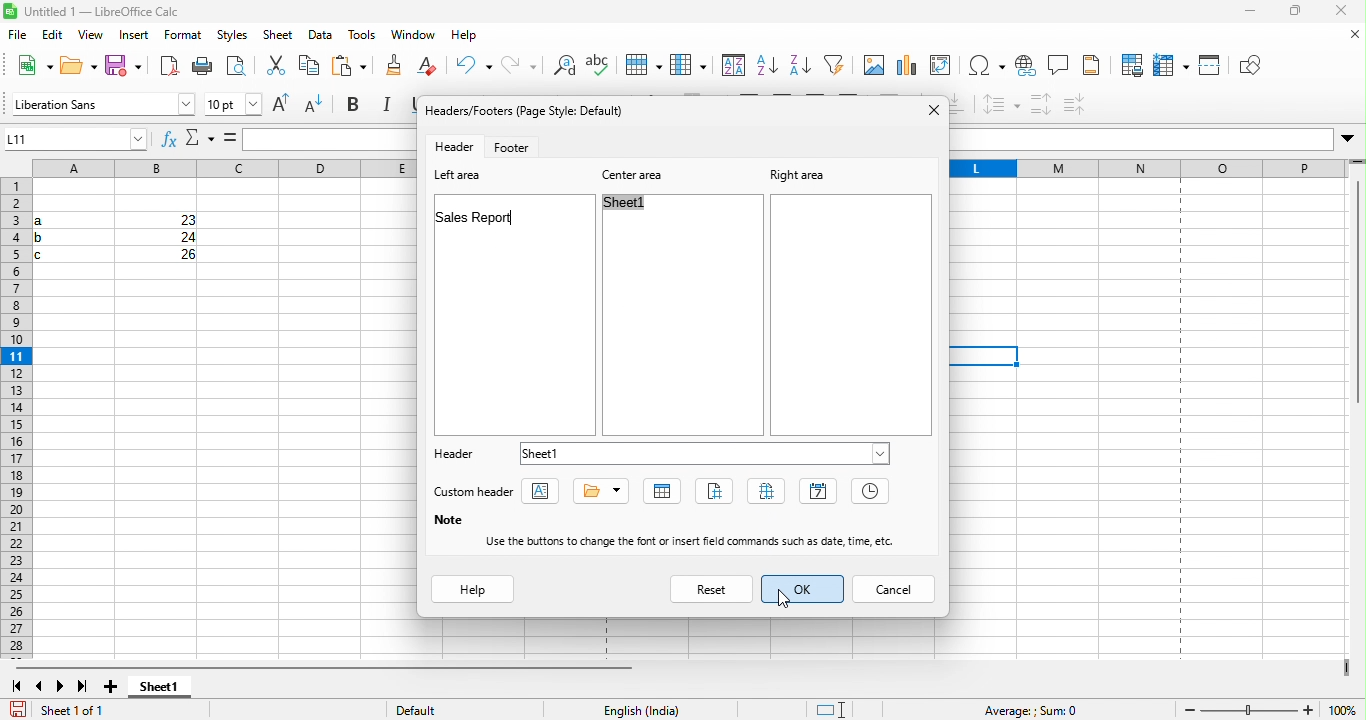 The image size is (1366, 720). I want to click on format, so click(184, 39).